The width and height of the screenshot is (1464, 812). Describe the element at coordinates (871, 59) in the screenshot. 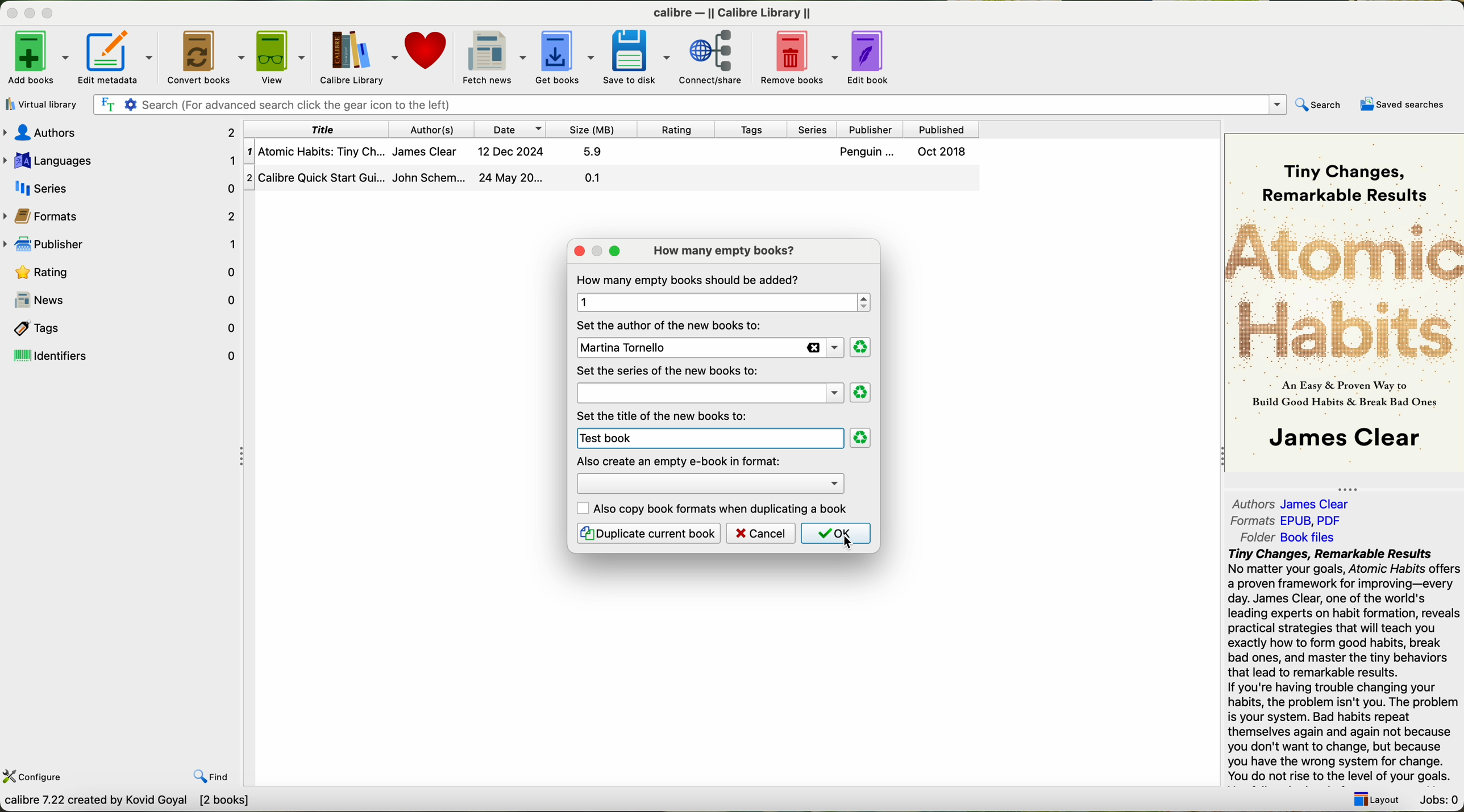

I see `edit book` at that location.